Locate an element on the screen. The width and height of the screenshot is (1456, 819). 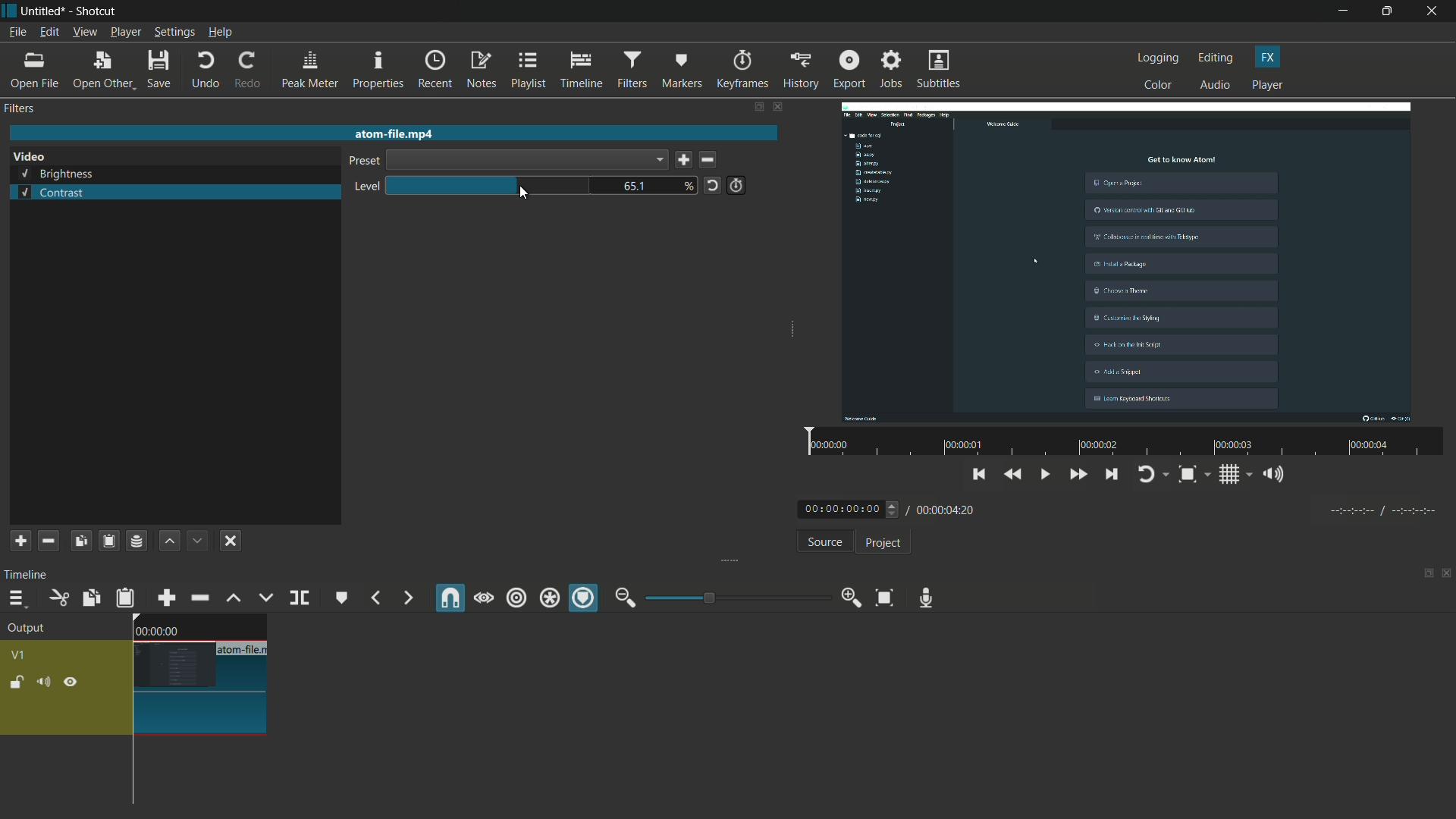
timeline menu is located at coordinates (17, 600).